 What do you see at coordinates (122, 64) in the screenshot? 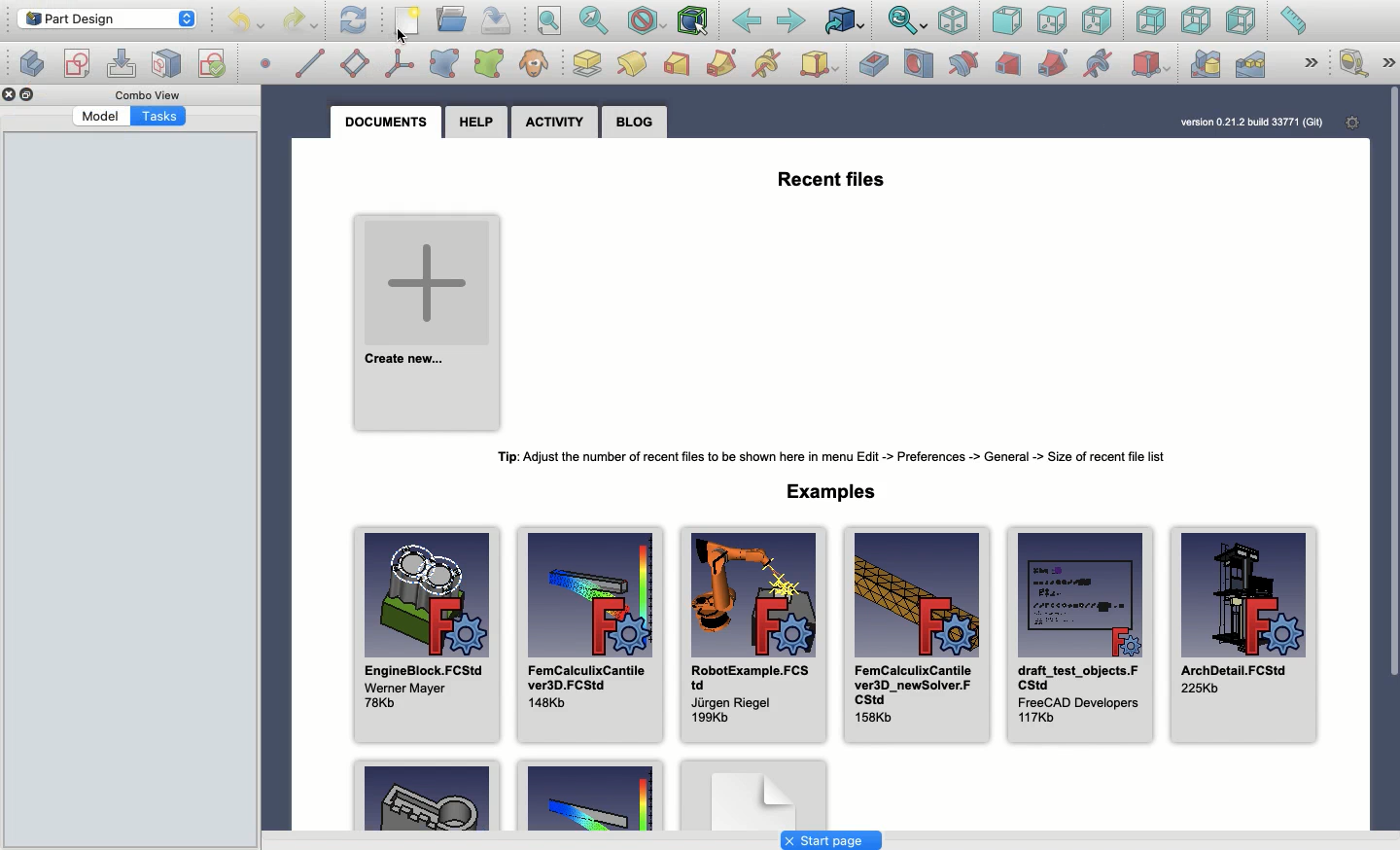
I see `Edit sketch` at bounding box center [122, 64].